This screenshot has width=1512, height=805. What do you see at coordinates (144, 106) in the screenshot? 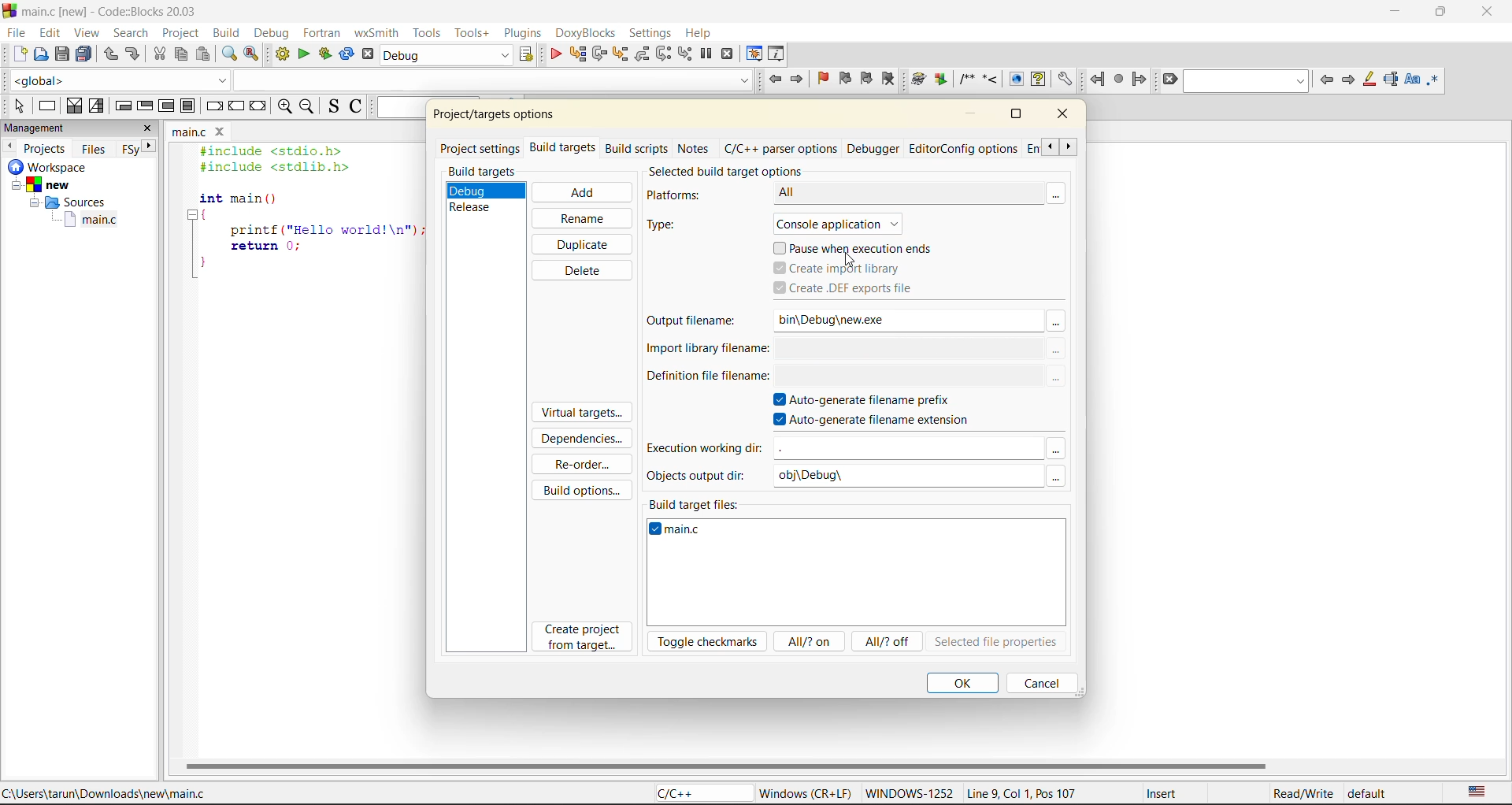
I see `exit condition loop` at bounding box center [144, 106].